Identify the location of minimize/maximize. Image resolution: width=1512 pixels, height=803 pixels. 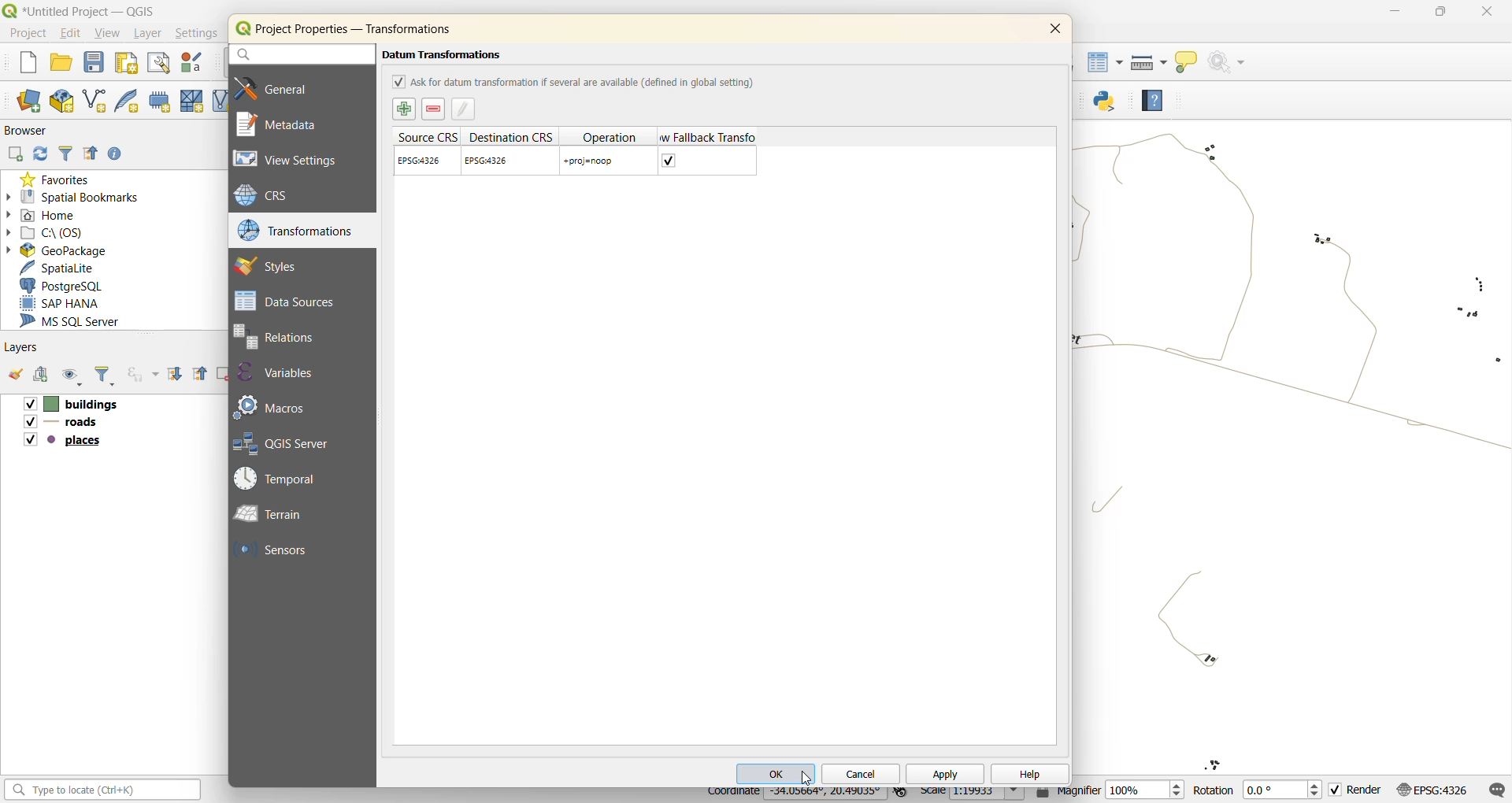
(1440, 14).